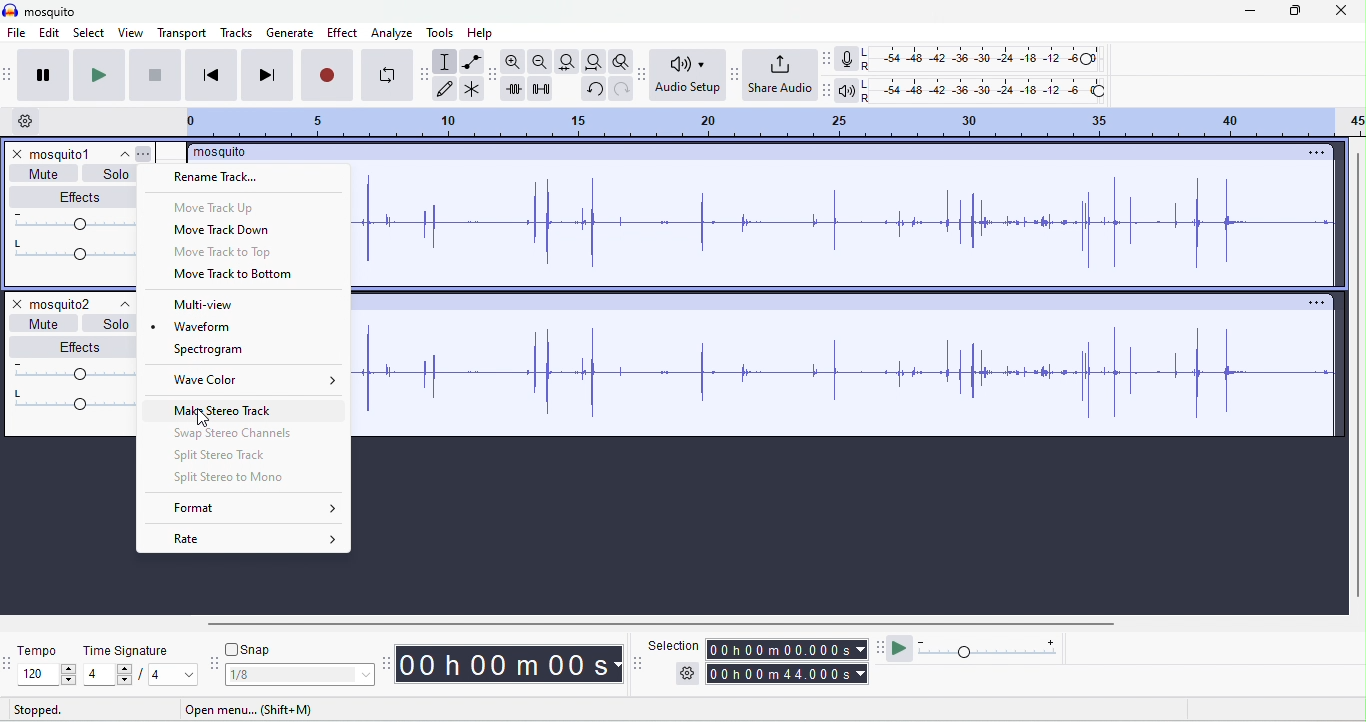 This screenshot has height=722, width=1366. I want to click on toggle zoom, so click(622, 61).